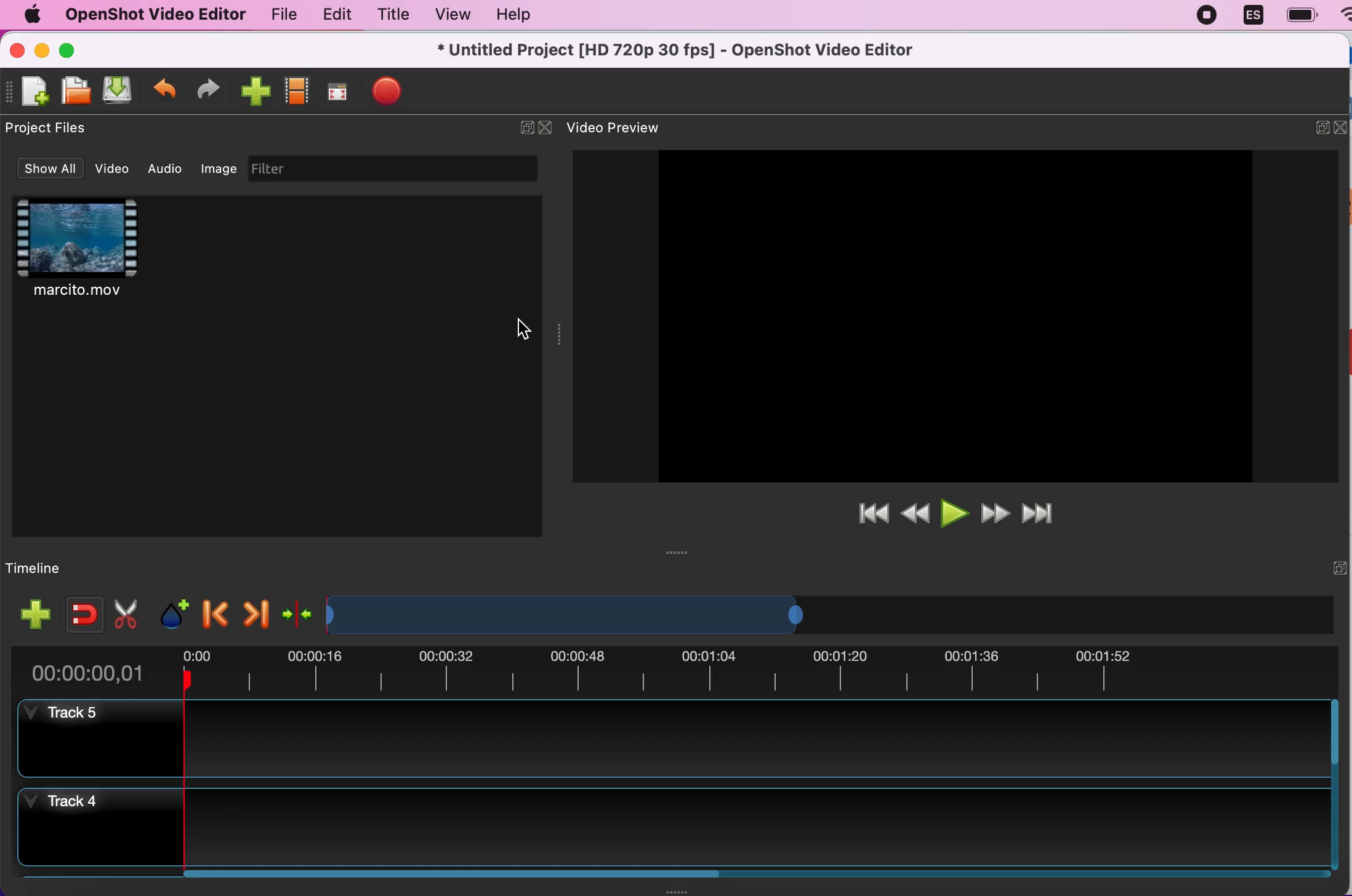 The image size is (1352, 896). Describe the element at coordinates (996, 514) in the screenshot. I see `fast forward` at that location.